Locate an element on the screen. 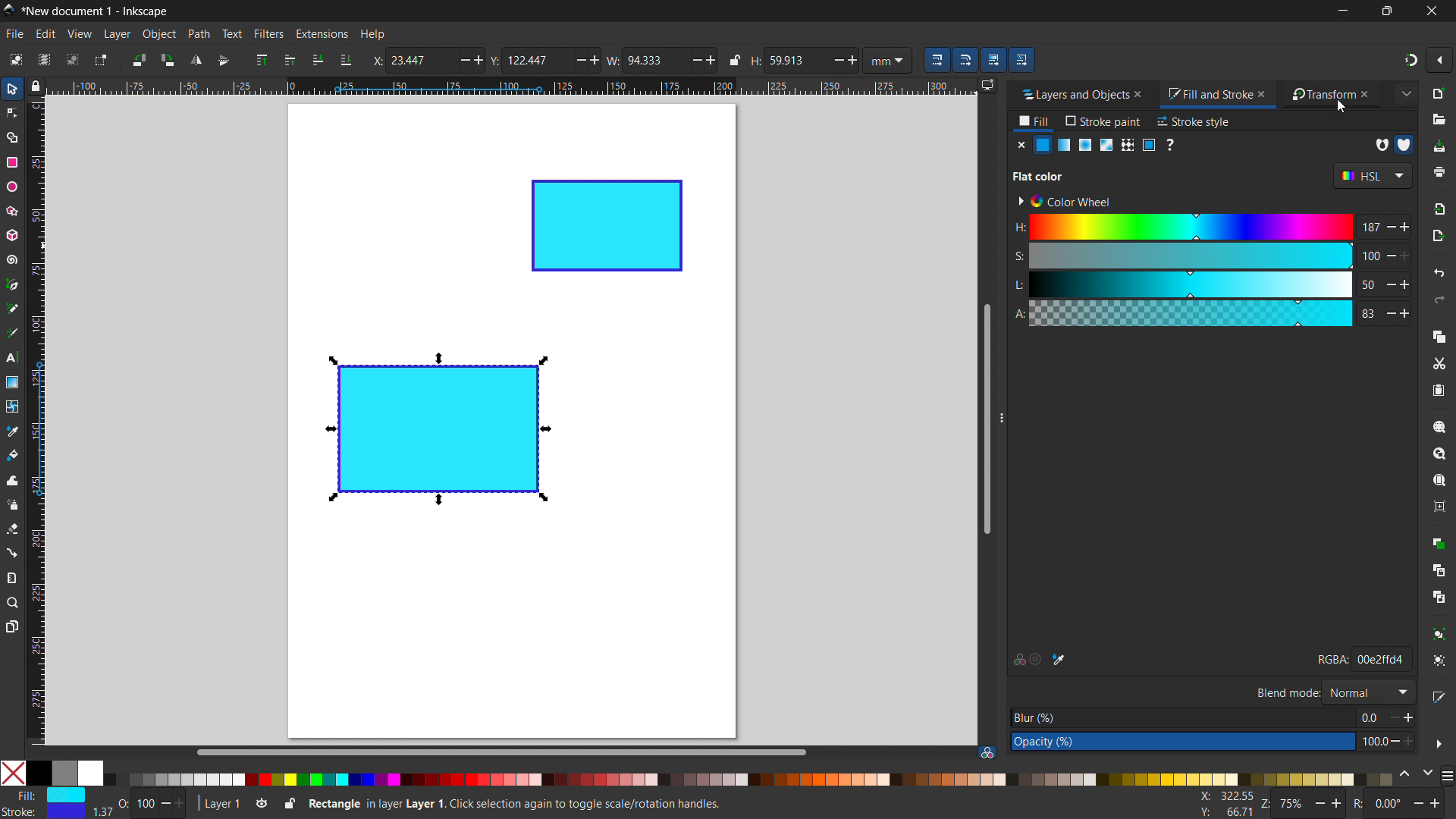 This screenshot has width=1456, height=819. import is located at coordinates (1441, 208).